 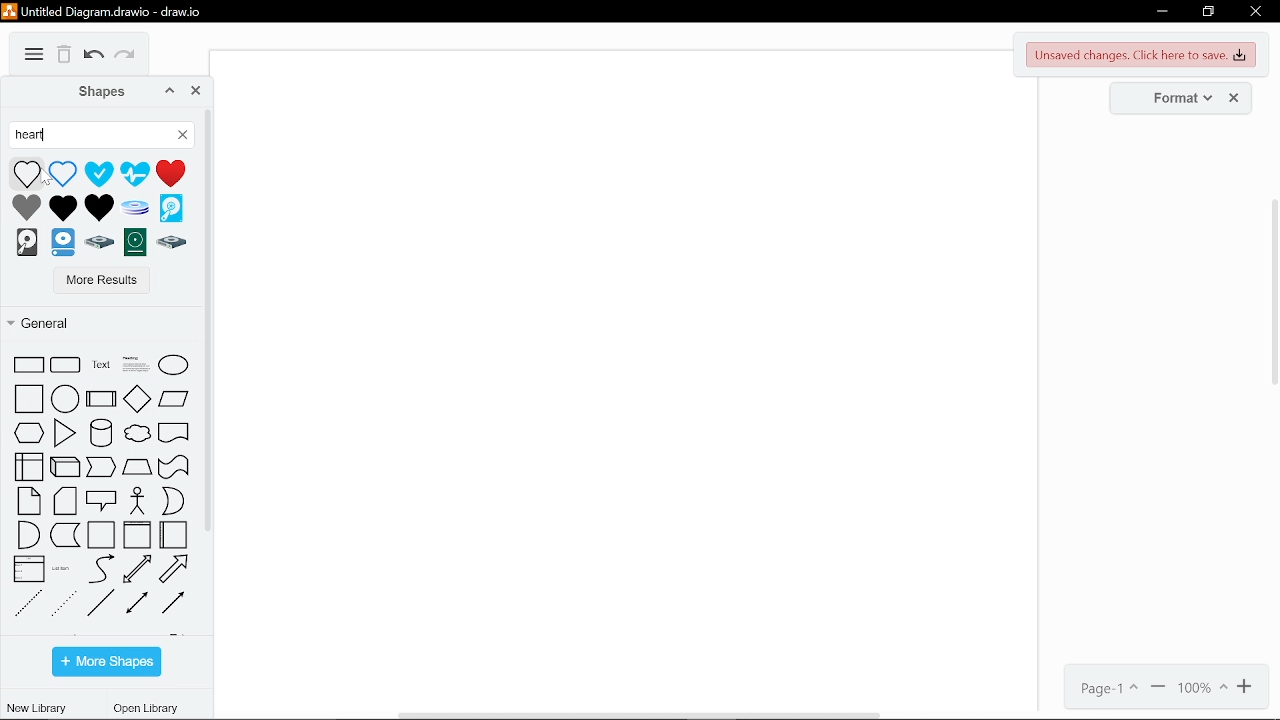 What do you see at coordinates (1203, 688) in the screenshot?
I see `100%` at bounding box center [1203, 688].